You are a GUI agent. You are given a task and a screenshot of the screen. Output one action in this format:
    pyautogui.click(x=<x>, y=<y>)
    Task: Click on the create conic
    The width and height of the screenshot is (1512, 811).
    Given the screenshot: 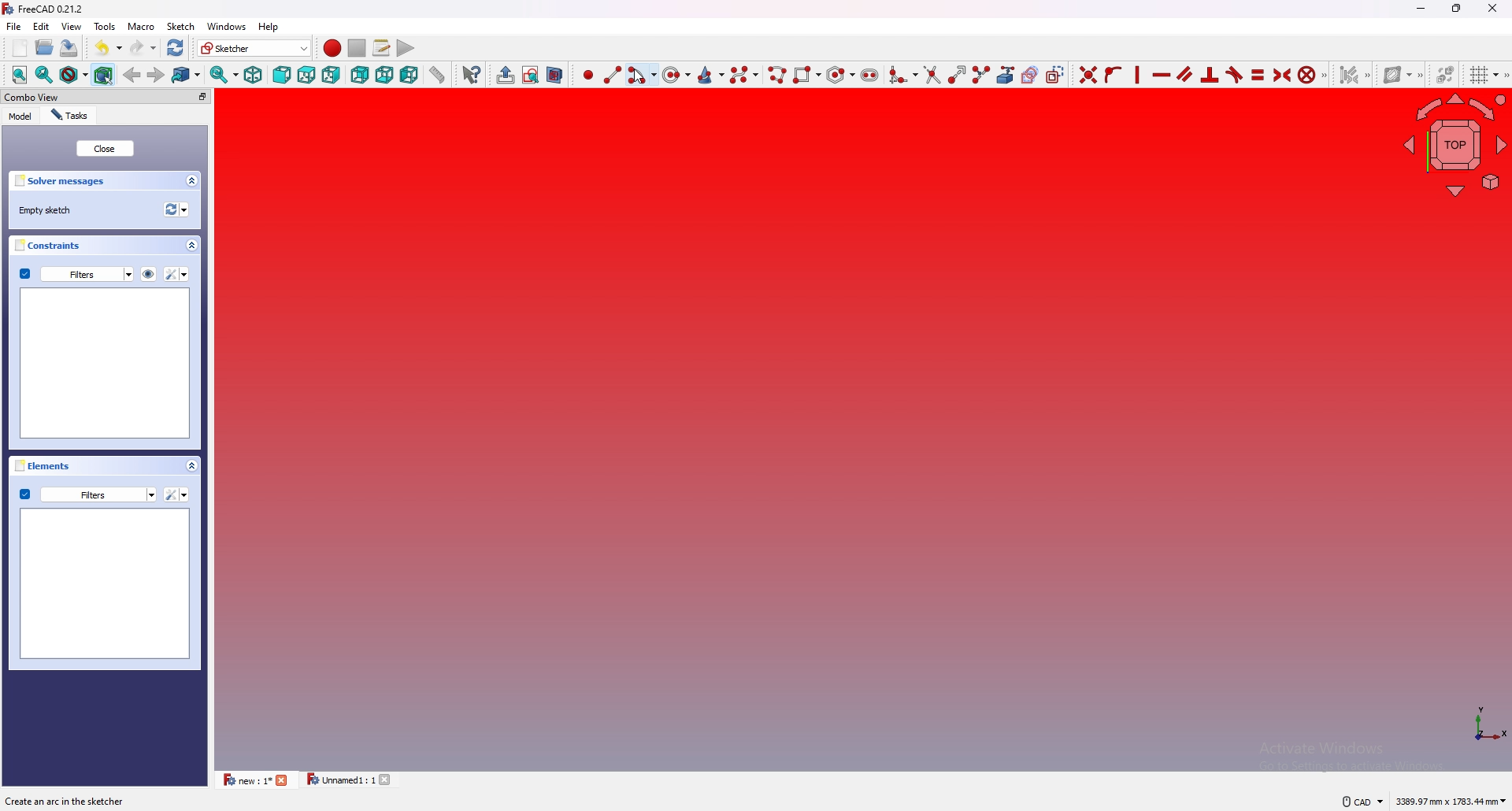 What is the action you would take?
    pyautogui.click(x=710, y=75)
    